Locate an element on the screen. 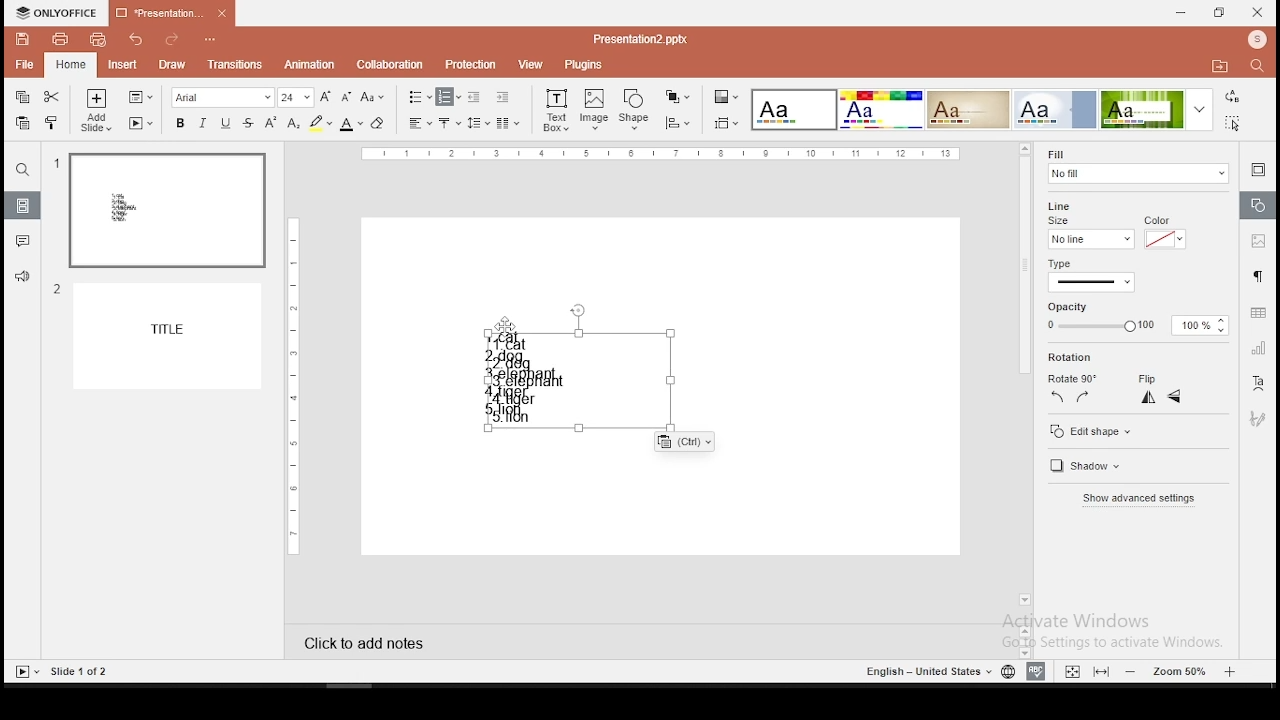 The height and width of the screenshot is (720, 1280). bullets is located at coordinates (420, 98).